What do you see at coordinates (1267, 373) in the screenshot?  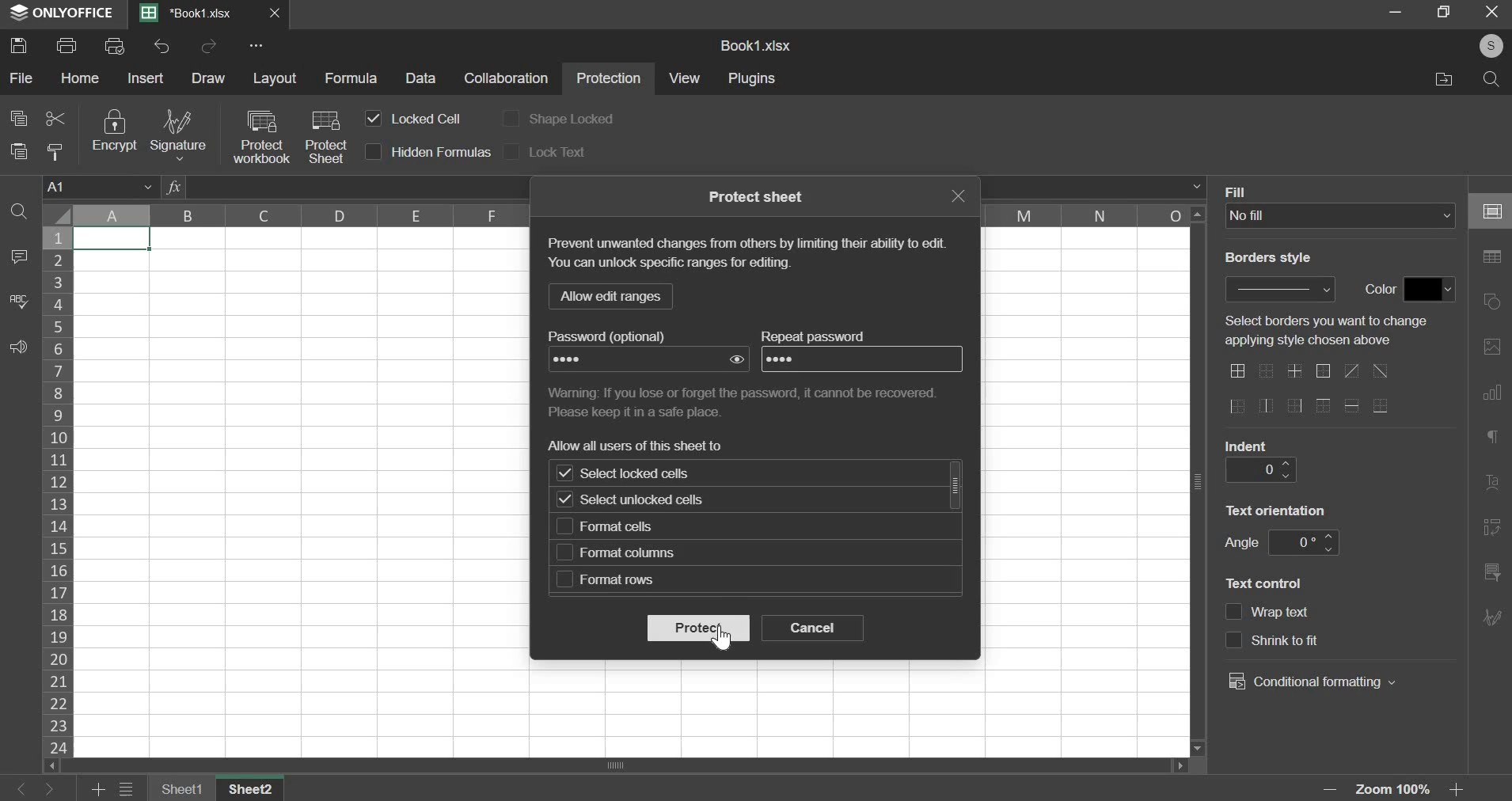 I see `border options` at bounding box center [1267, 373].